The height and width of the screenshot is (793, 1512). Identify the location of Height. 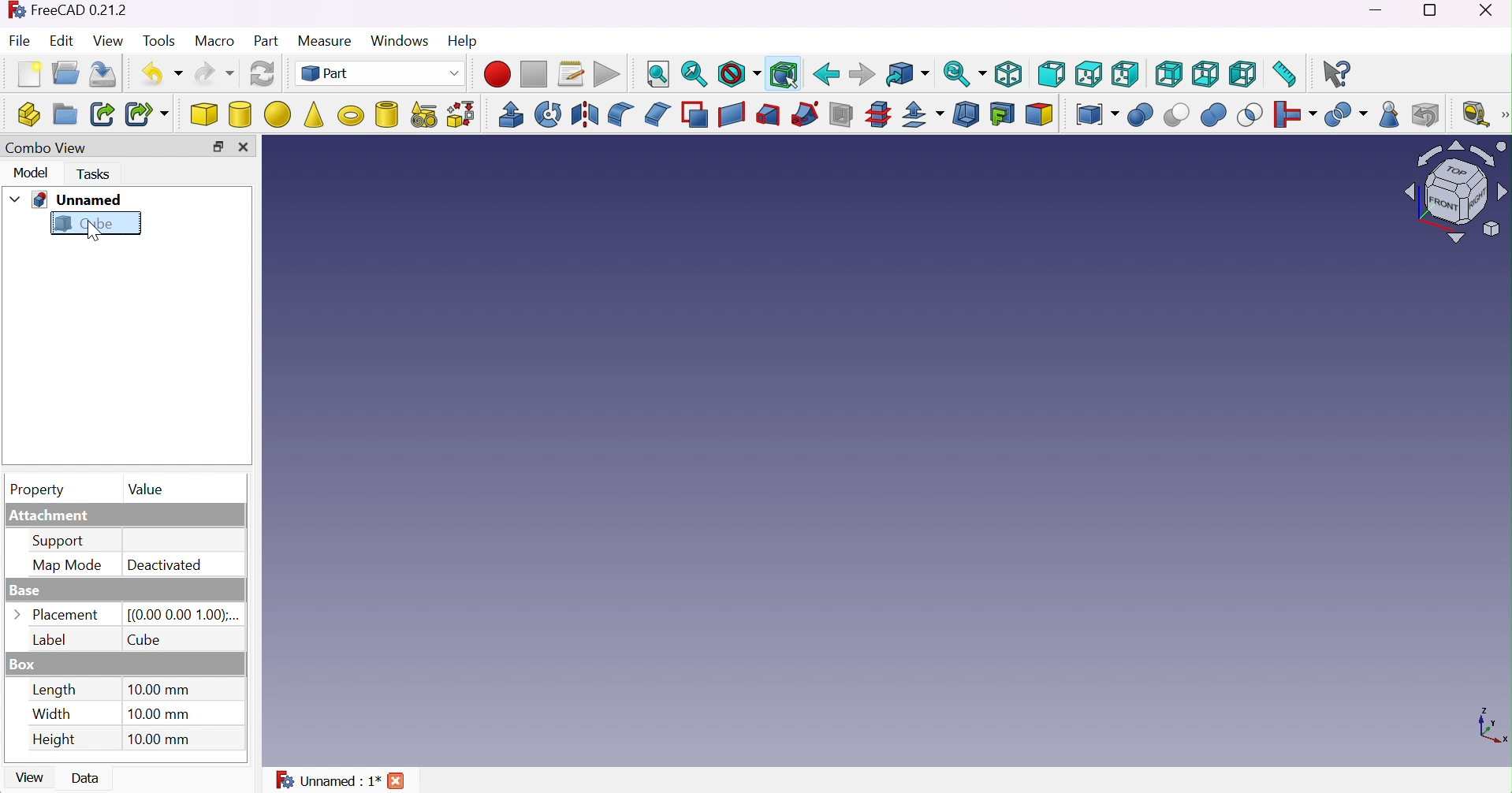
(53, 742).